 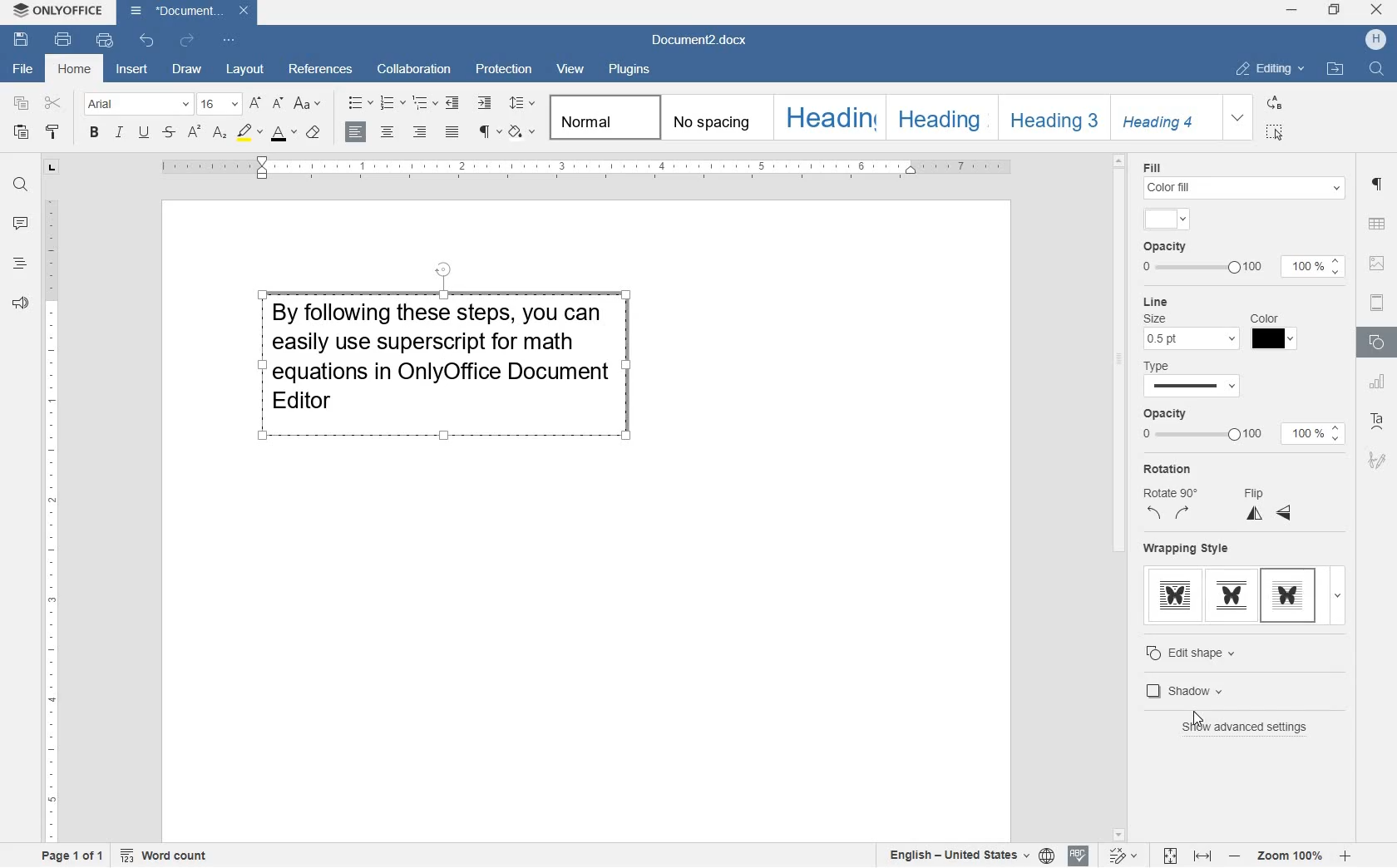 I want to click on page 1 of 1, so click(x=77, y=857).